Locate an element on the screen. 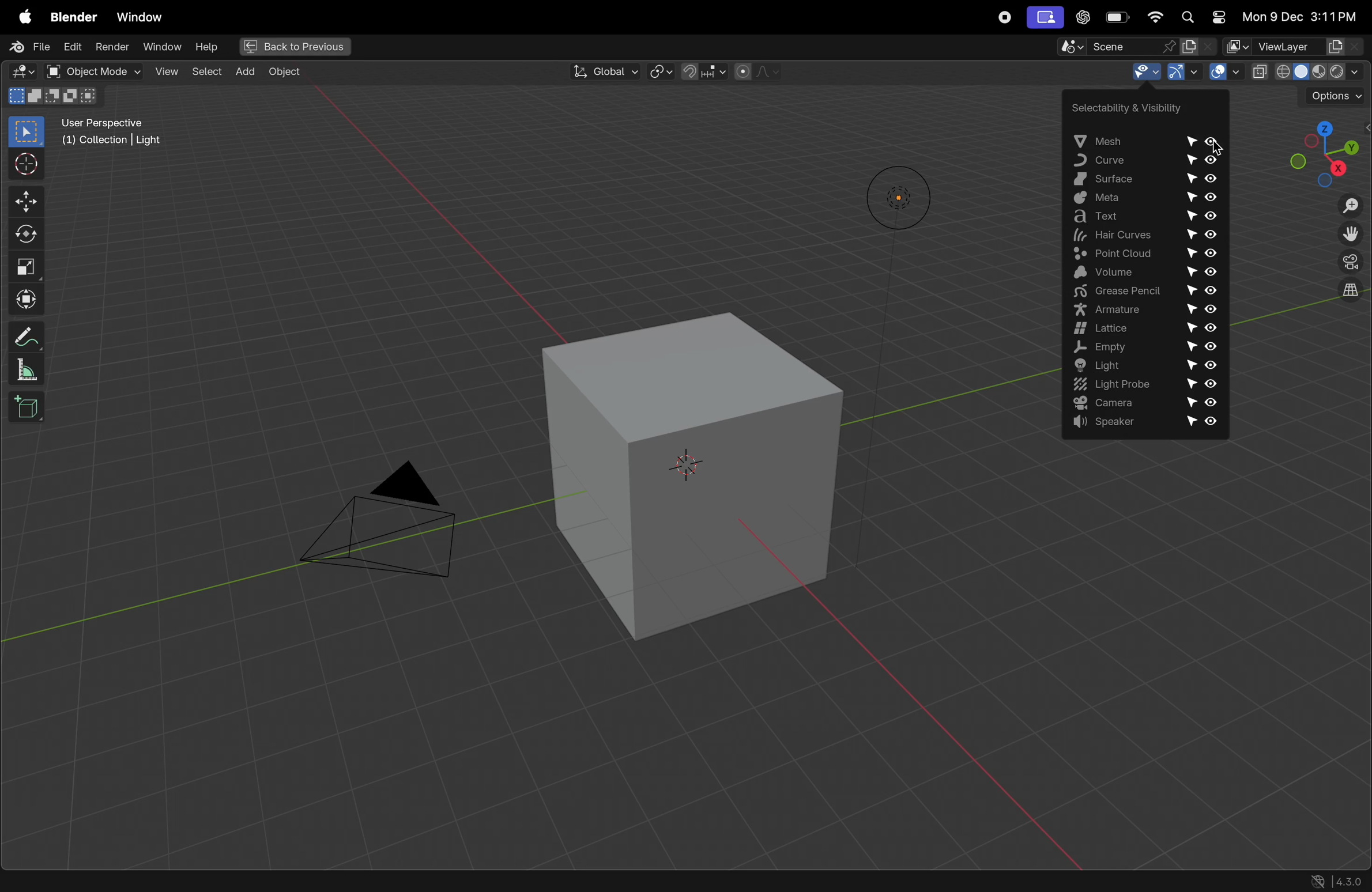 The width and height of the screenshot is (1372, 892). recorder is located at coordinates (1006, 19).